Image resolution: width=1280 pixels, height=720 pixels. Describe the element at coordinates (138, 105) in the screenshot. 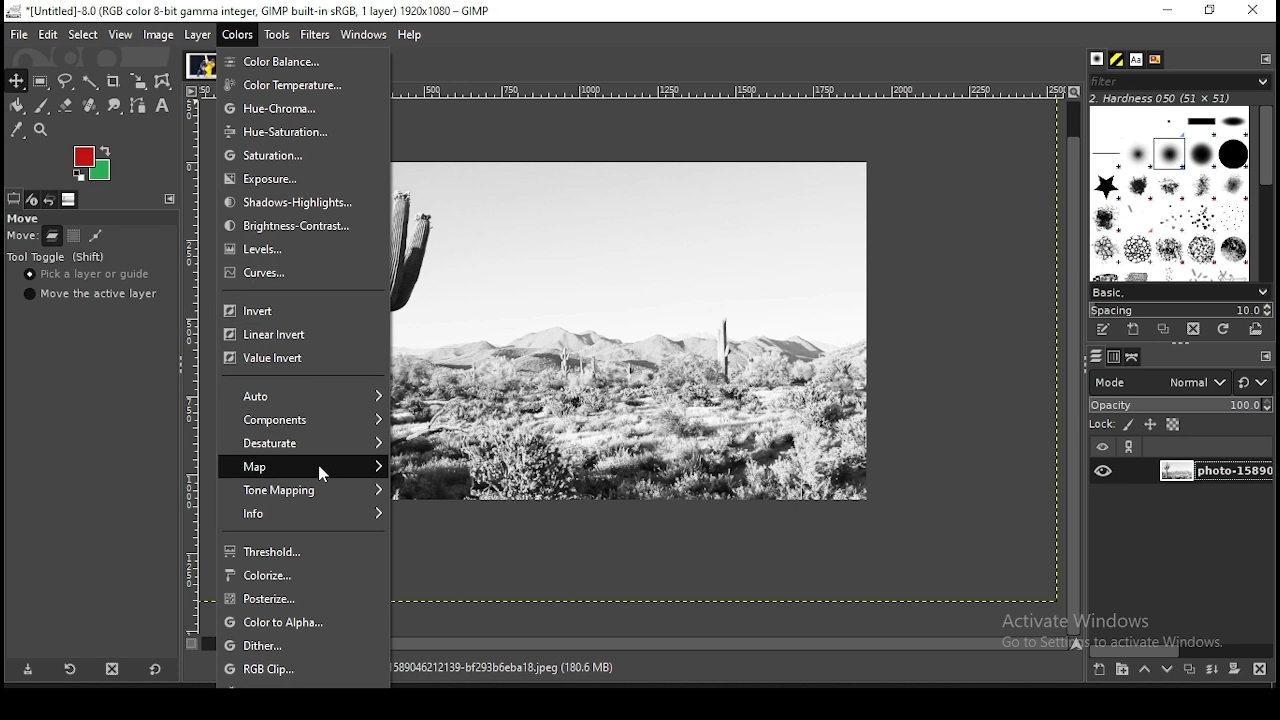

I see `paths tool` at that location.